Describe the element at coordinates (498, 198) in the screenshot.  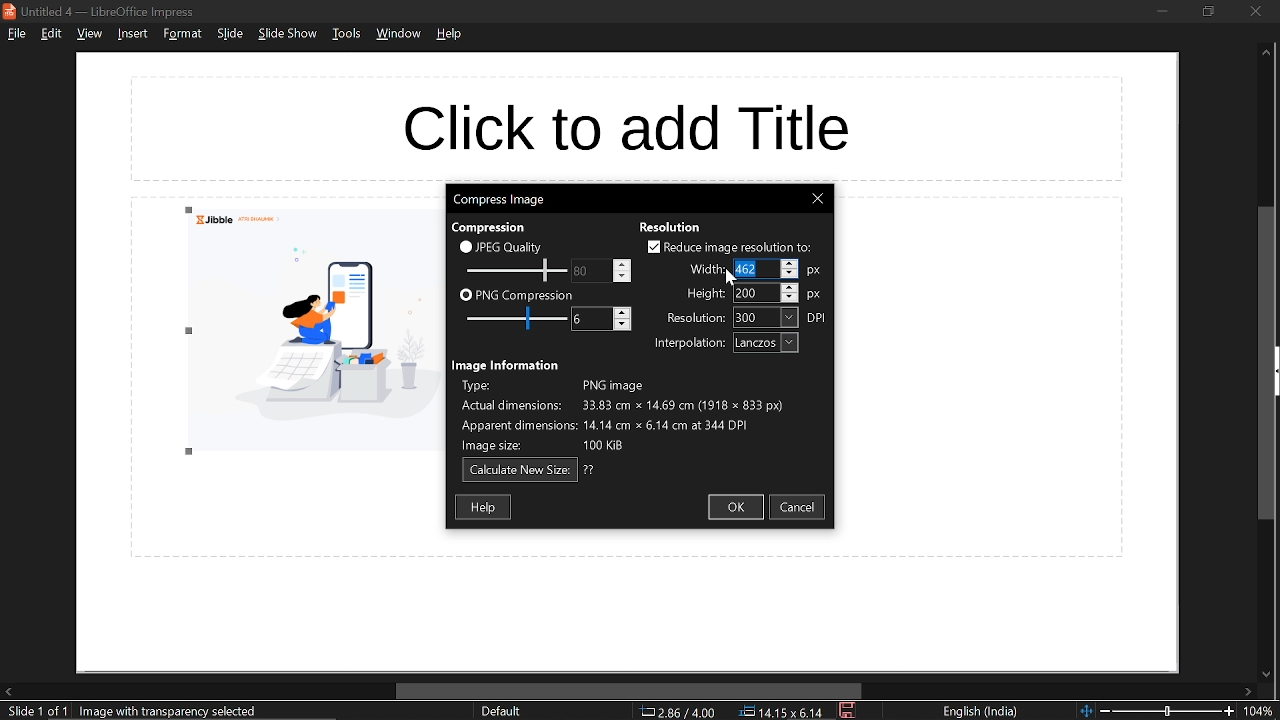
I see `current window` at that location.